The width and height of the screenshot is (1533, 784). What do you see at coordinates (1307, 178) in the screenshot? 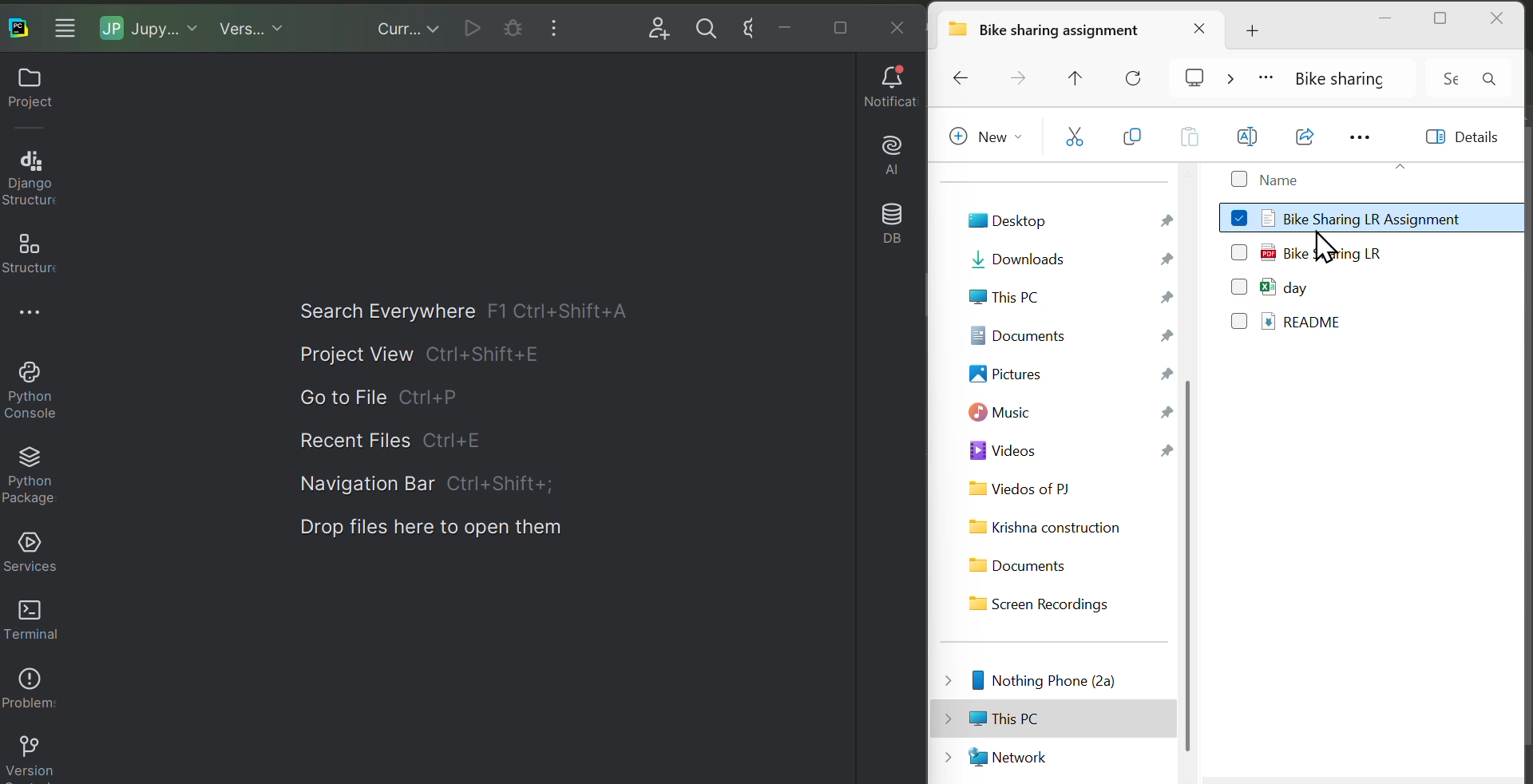
I see `Name` at bounding box center [1307, 178].